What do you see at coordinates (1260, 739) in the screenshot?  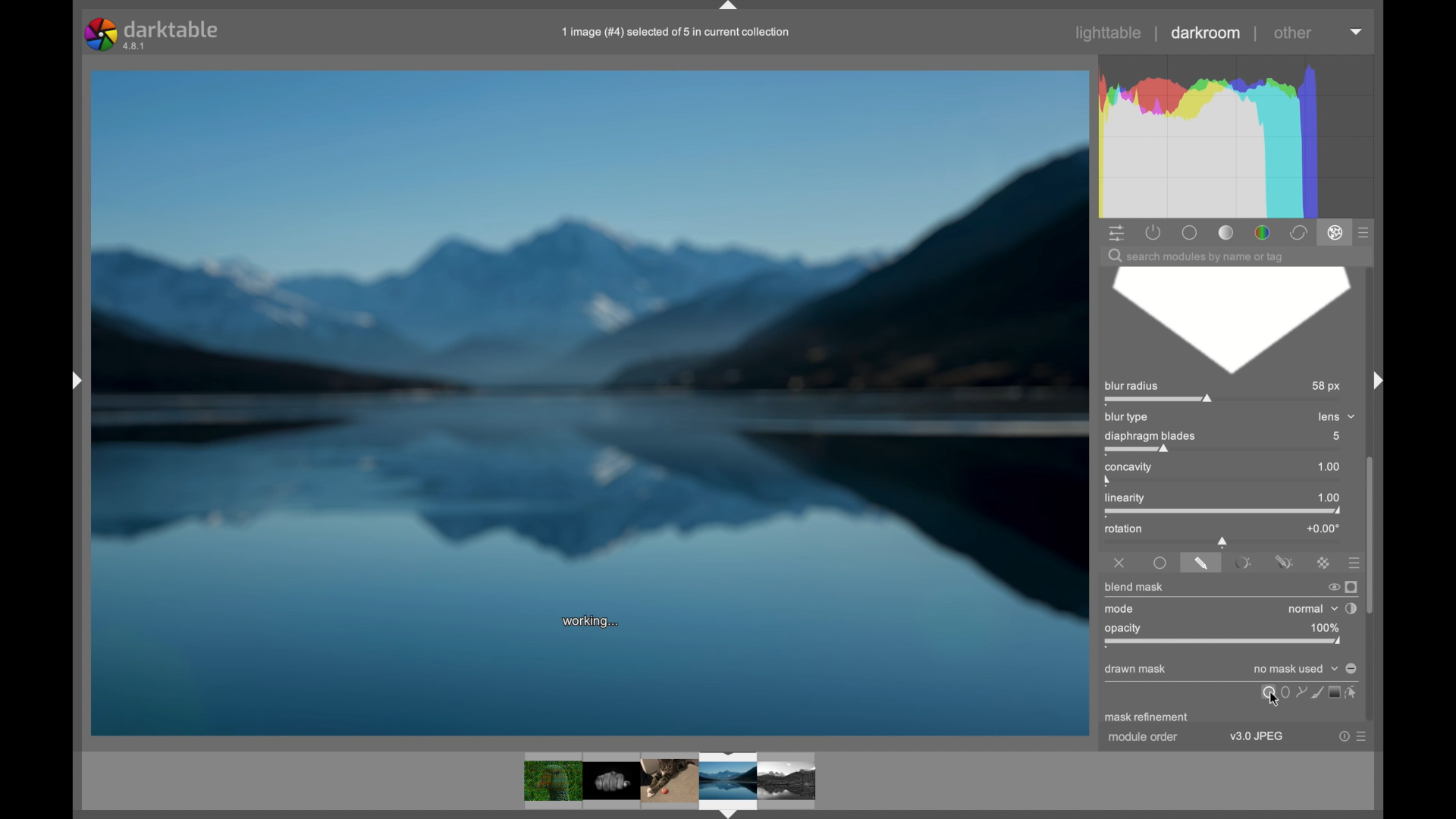 I see `v3.0 JPEG` at bounding box center [1260, 739].